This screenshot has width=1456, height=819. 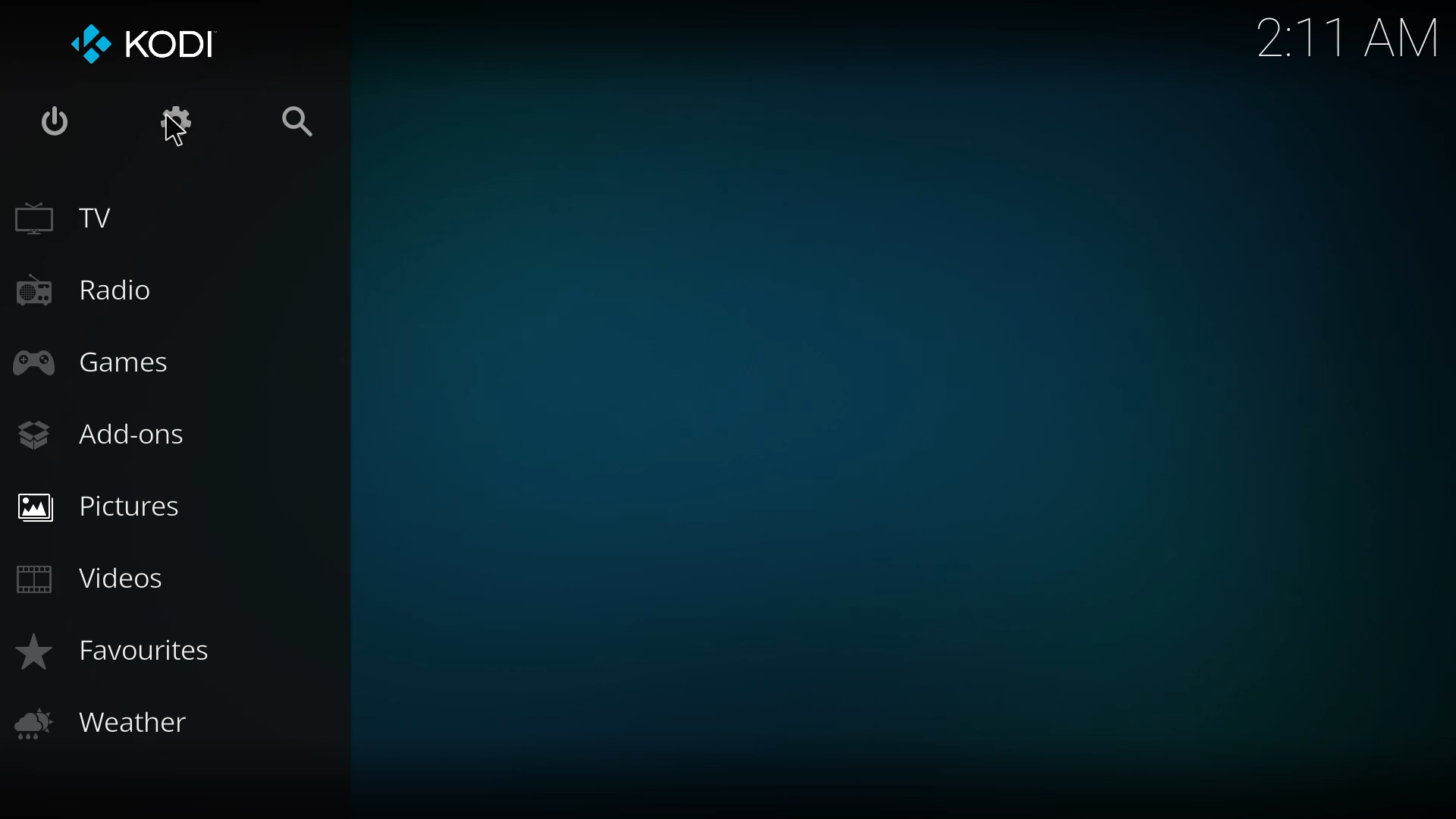 What do you see at coordinates (1345, 35) in the screenshot?
I see `time` at bounding box center [1345, 35].